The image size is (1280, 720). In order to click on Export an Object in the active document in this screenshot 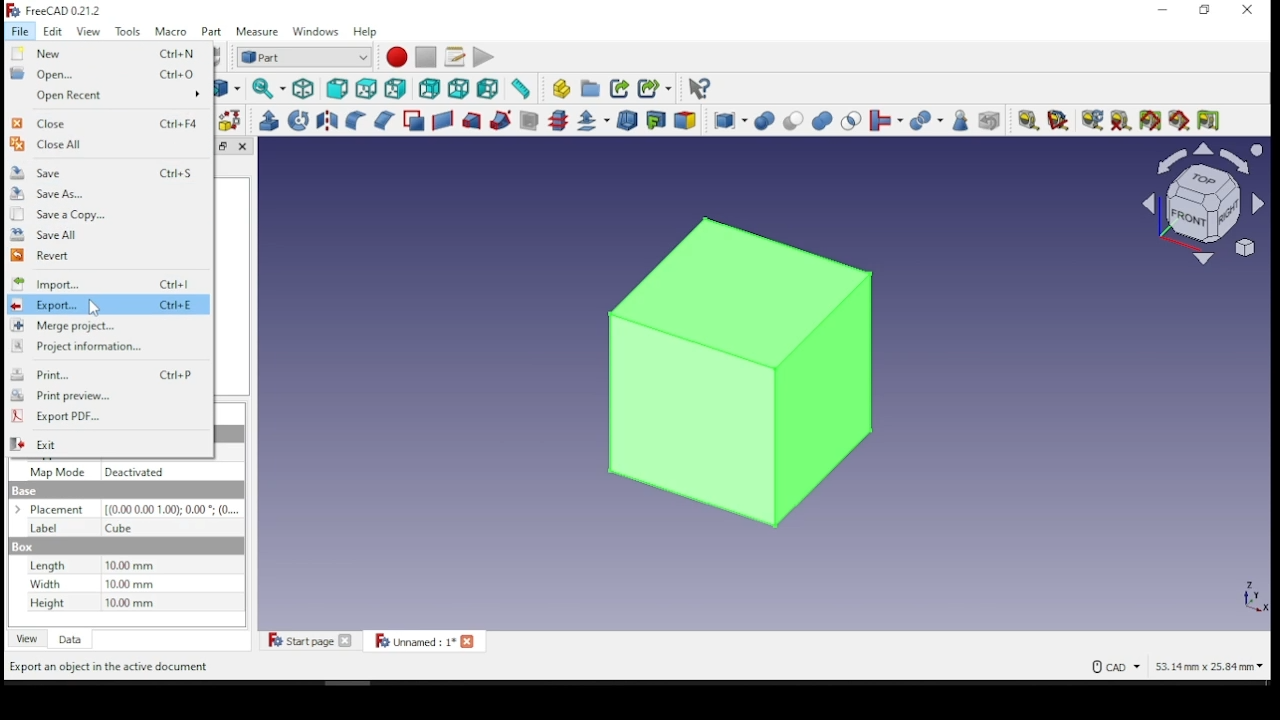, I will do `click(114, 668)`.